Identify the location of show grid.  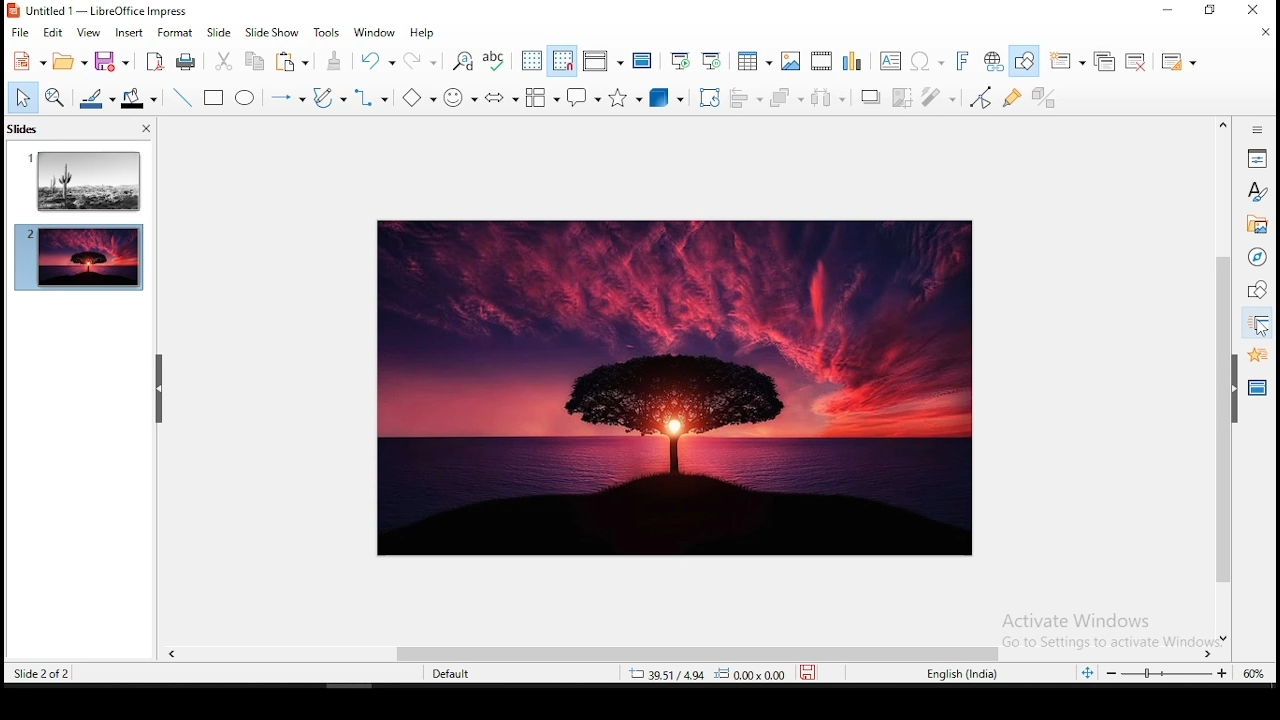
(533, 61).